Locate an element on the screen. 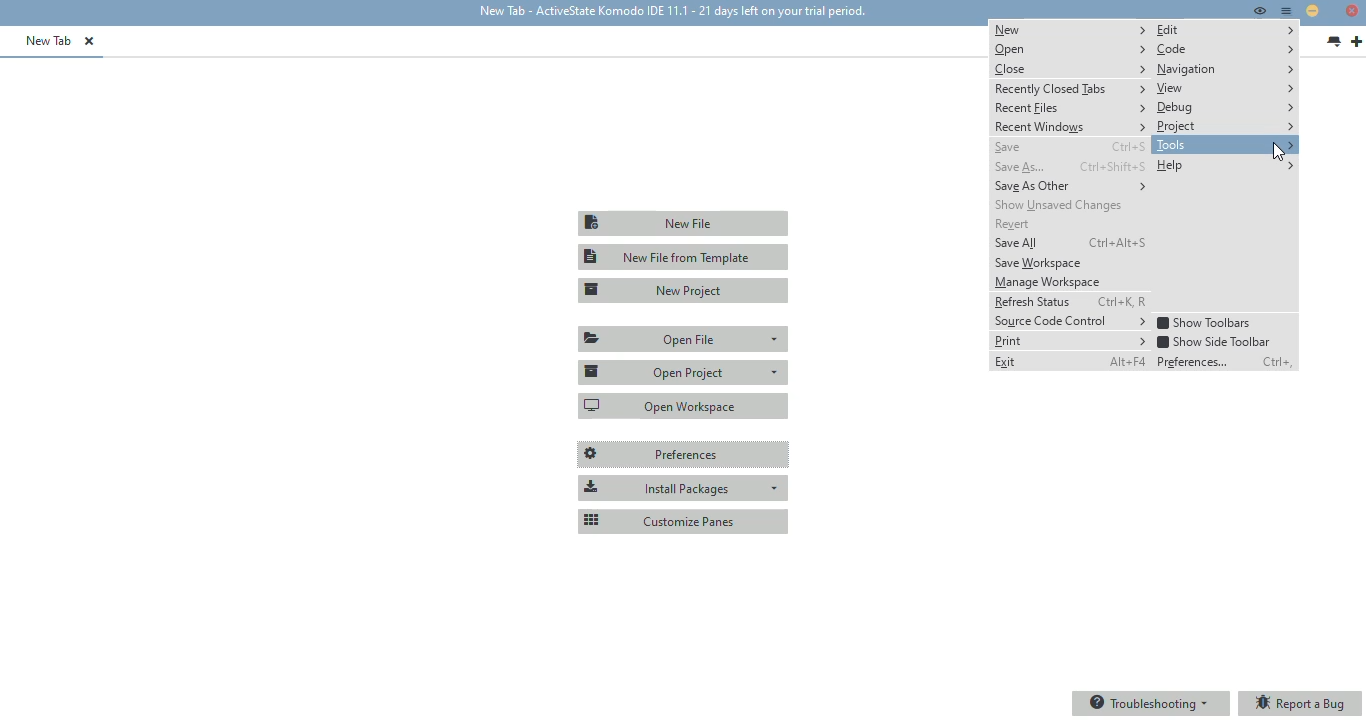  new tab is located at coordinates (49, 40).